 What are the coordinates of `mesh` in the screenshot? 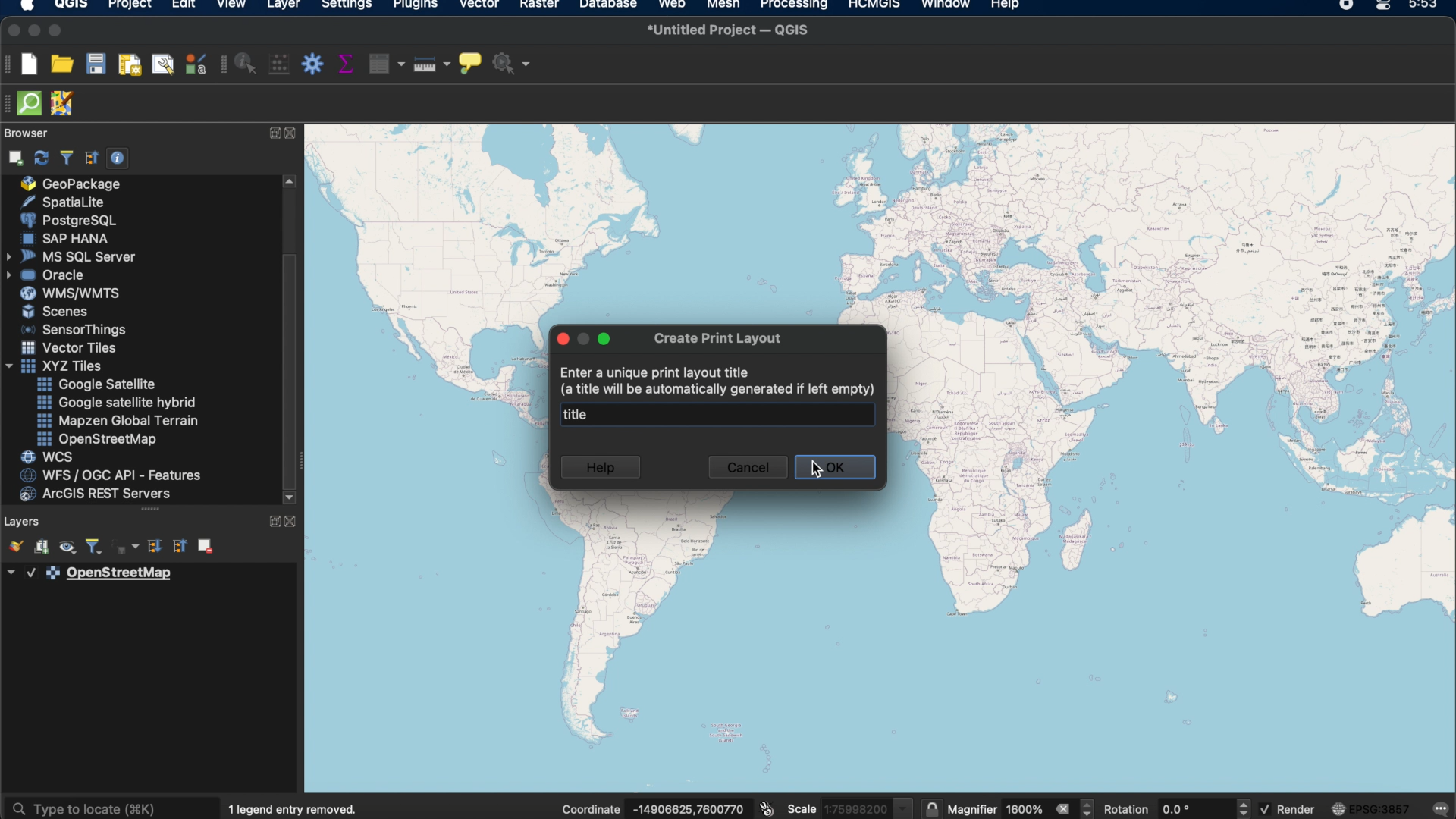 It's located at (726, 6).